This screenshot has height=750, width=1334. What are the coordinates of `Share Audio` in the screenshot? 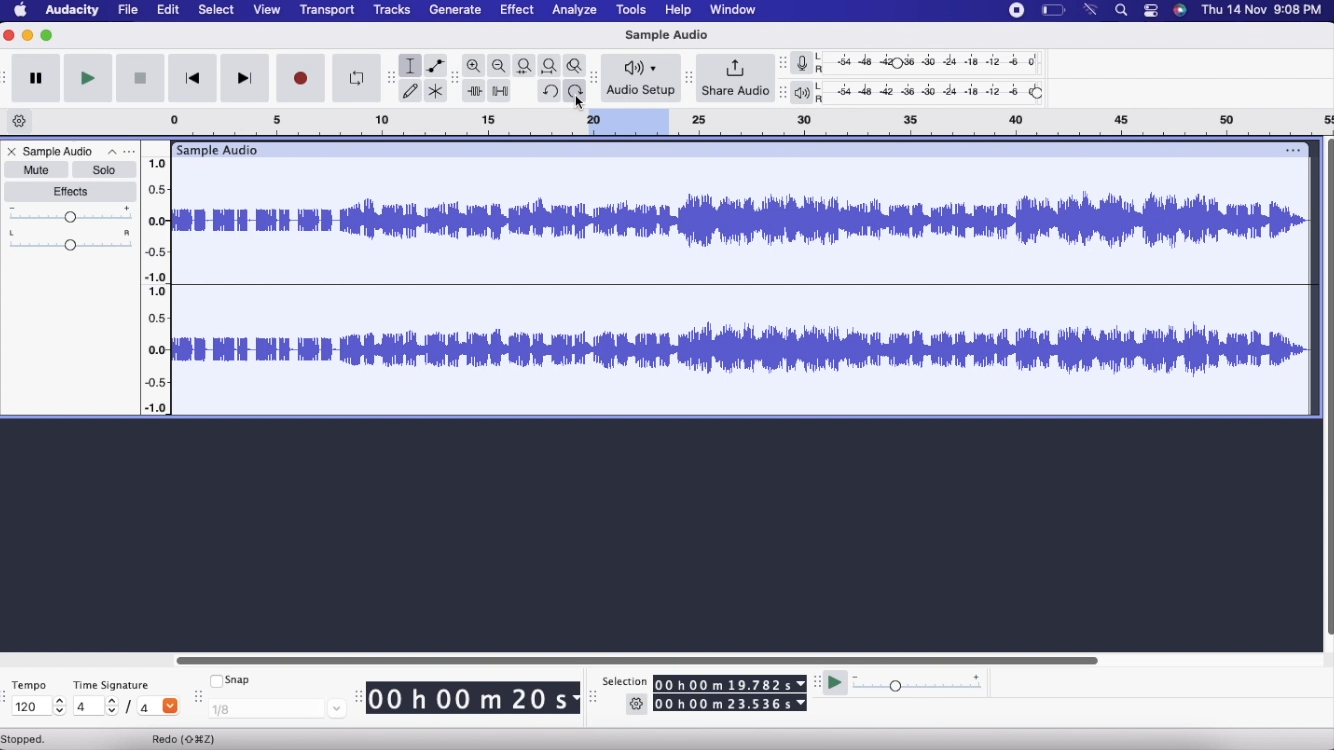 It's located at (737, 78).